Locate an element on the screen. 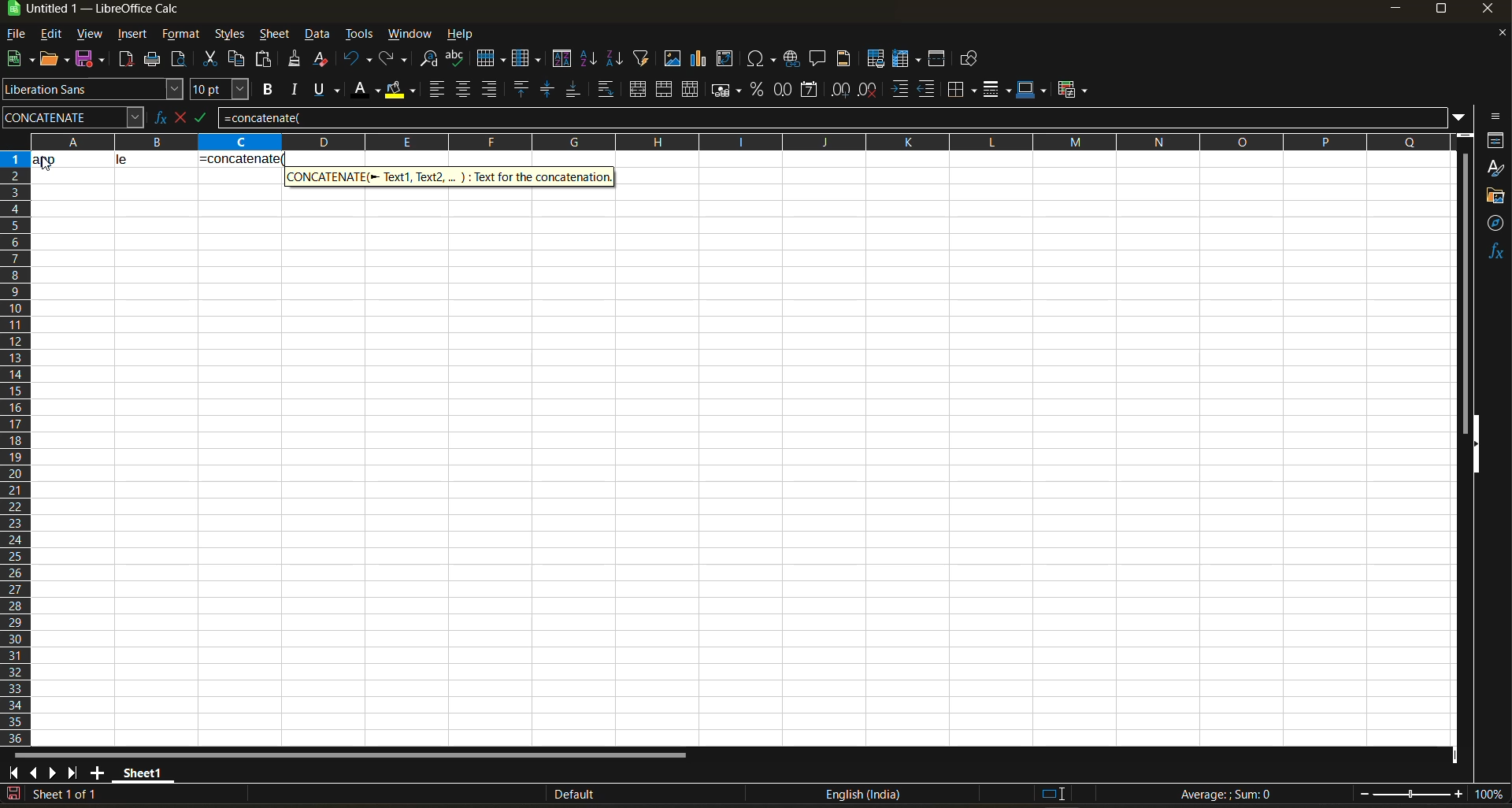 The height and width of the screenshot is (808, 1512). cut is located at coordinates (213, 60).